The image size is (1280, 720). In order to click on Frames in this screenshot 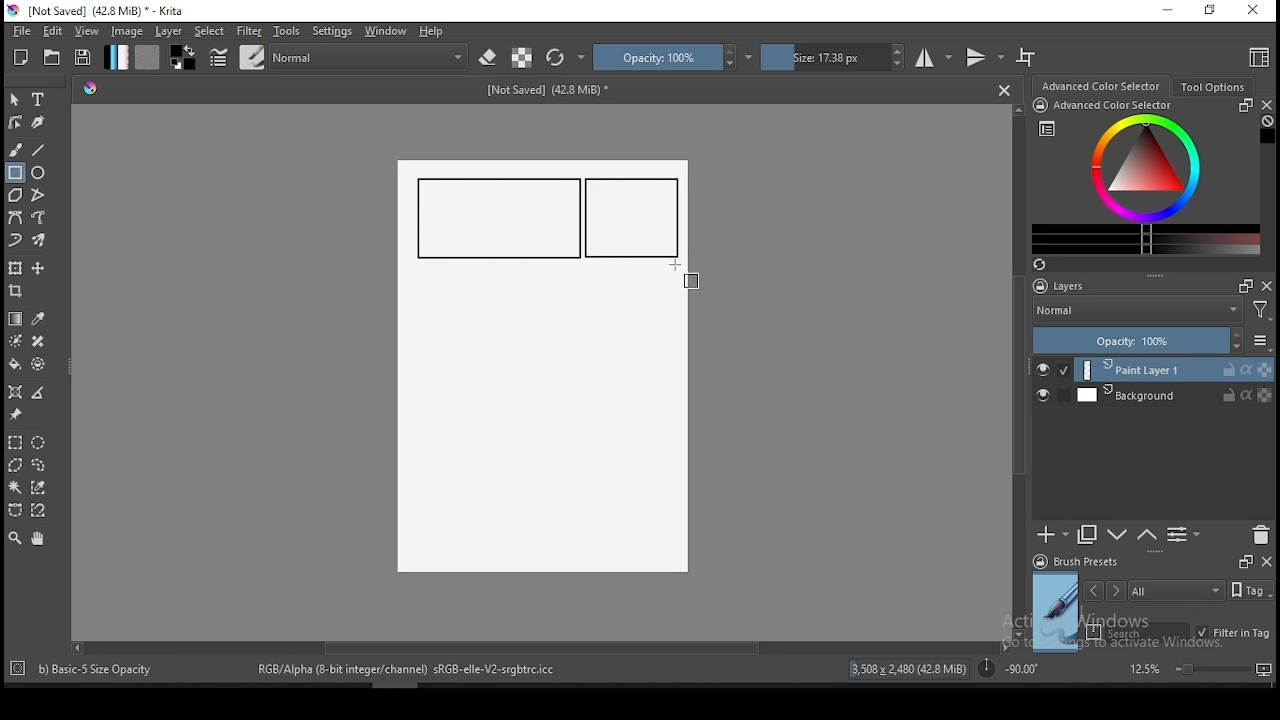, I will do `click(1240, 285)`.